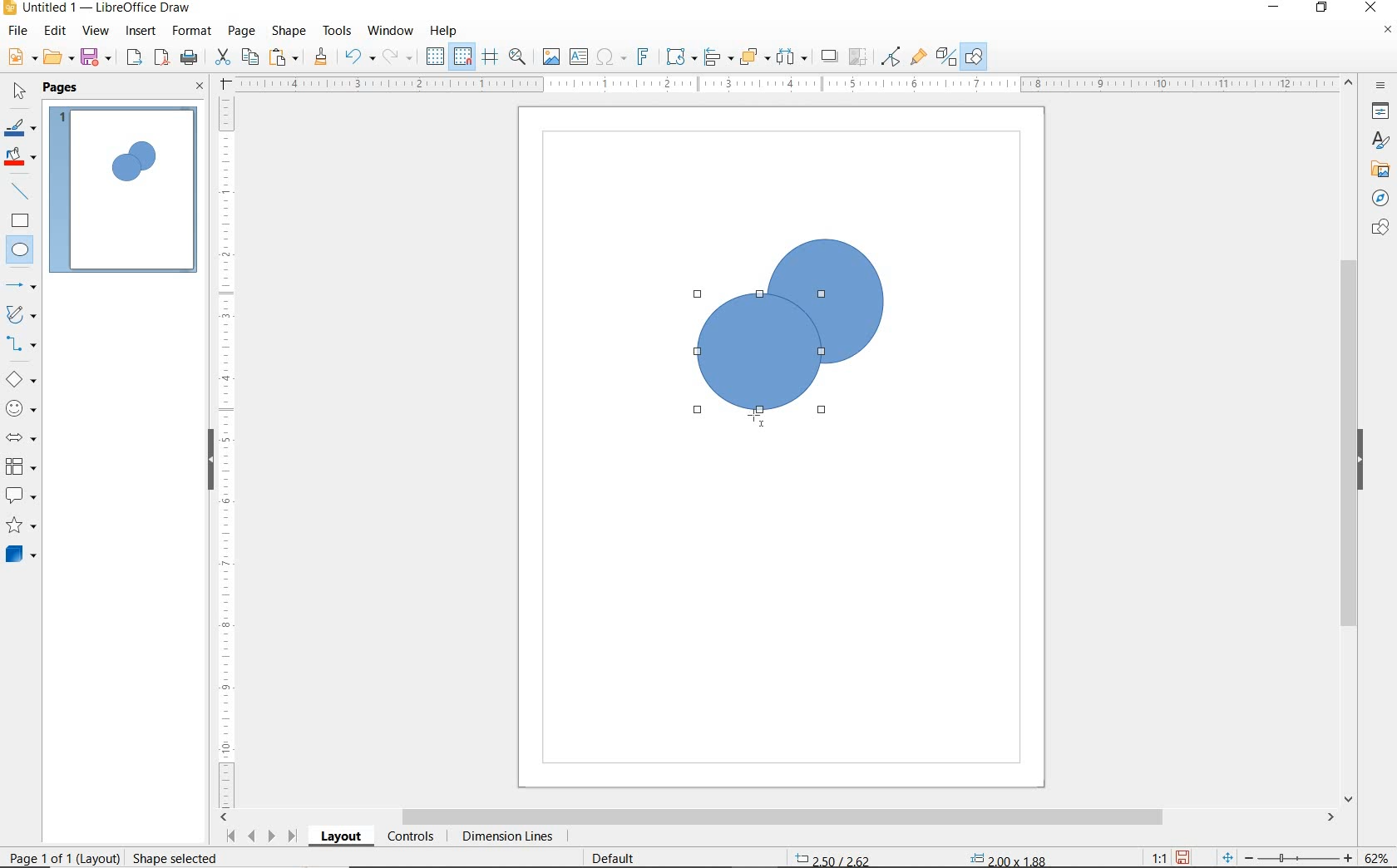  I want to click on SCROLLBAR, so click(1349, 441).